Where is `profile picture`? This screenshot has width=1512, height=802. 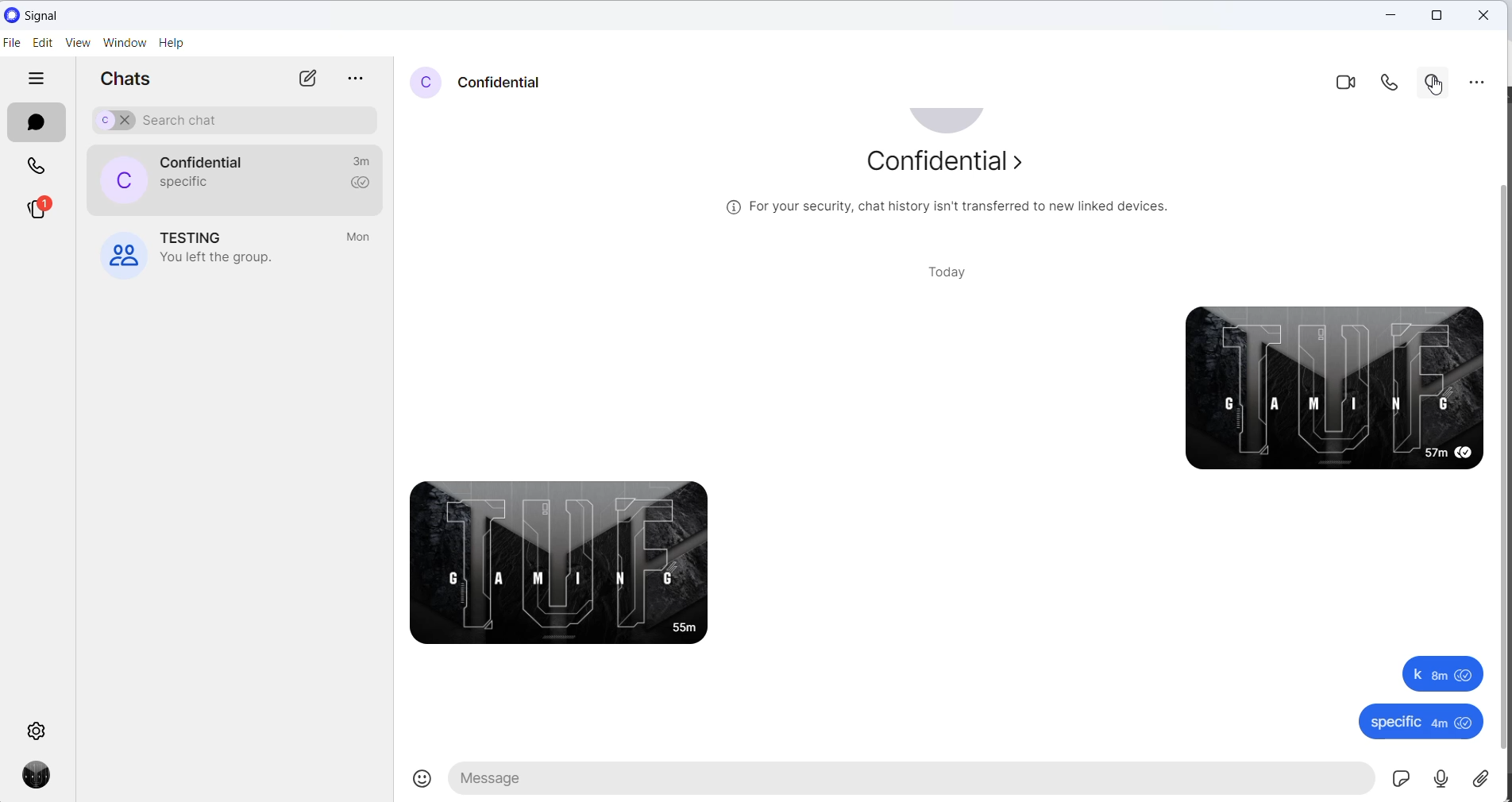 profile picture is located at coordinates (126, 253).